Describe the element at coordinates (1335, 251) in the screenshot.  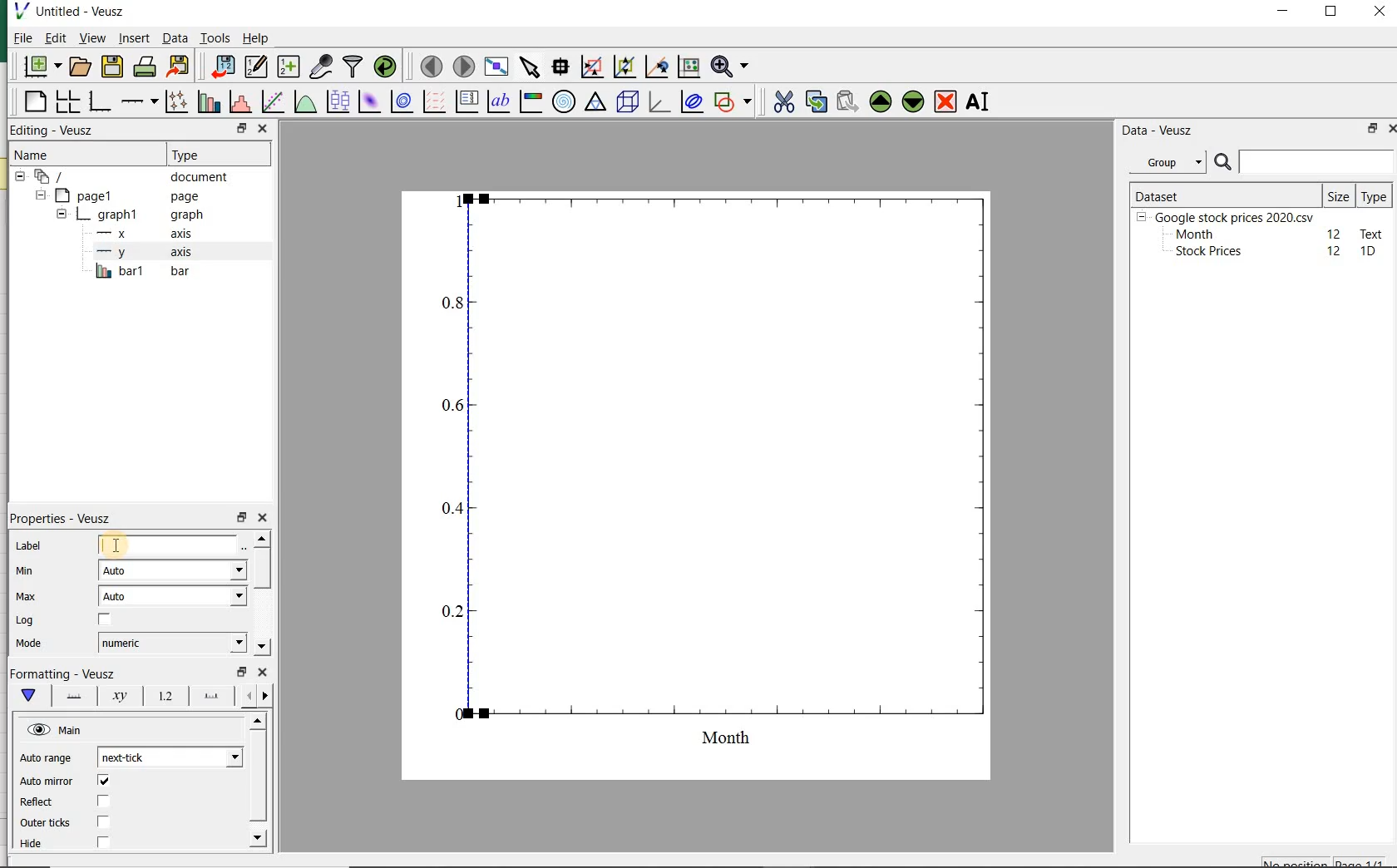
I see `12` at that location.